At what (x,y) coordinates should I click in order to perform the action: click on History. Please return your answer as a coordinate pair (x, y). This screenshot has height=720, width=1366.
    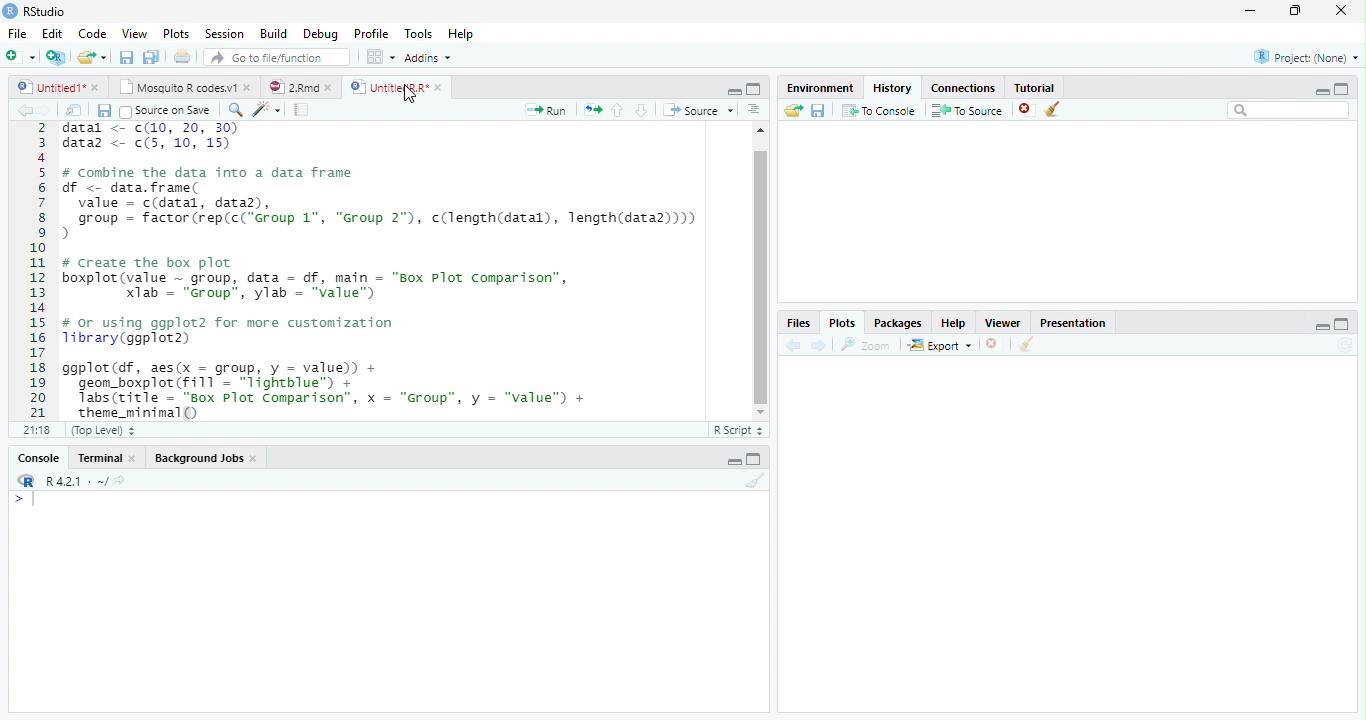
    Looking at the image, I should click on (893, 88).